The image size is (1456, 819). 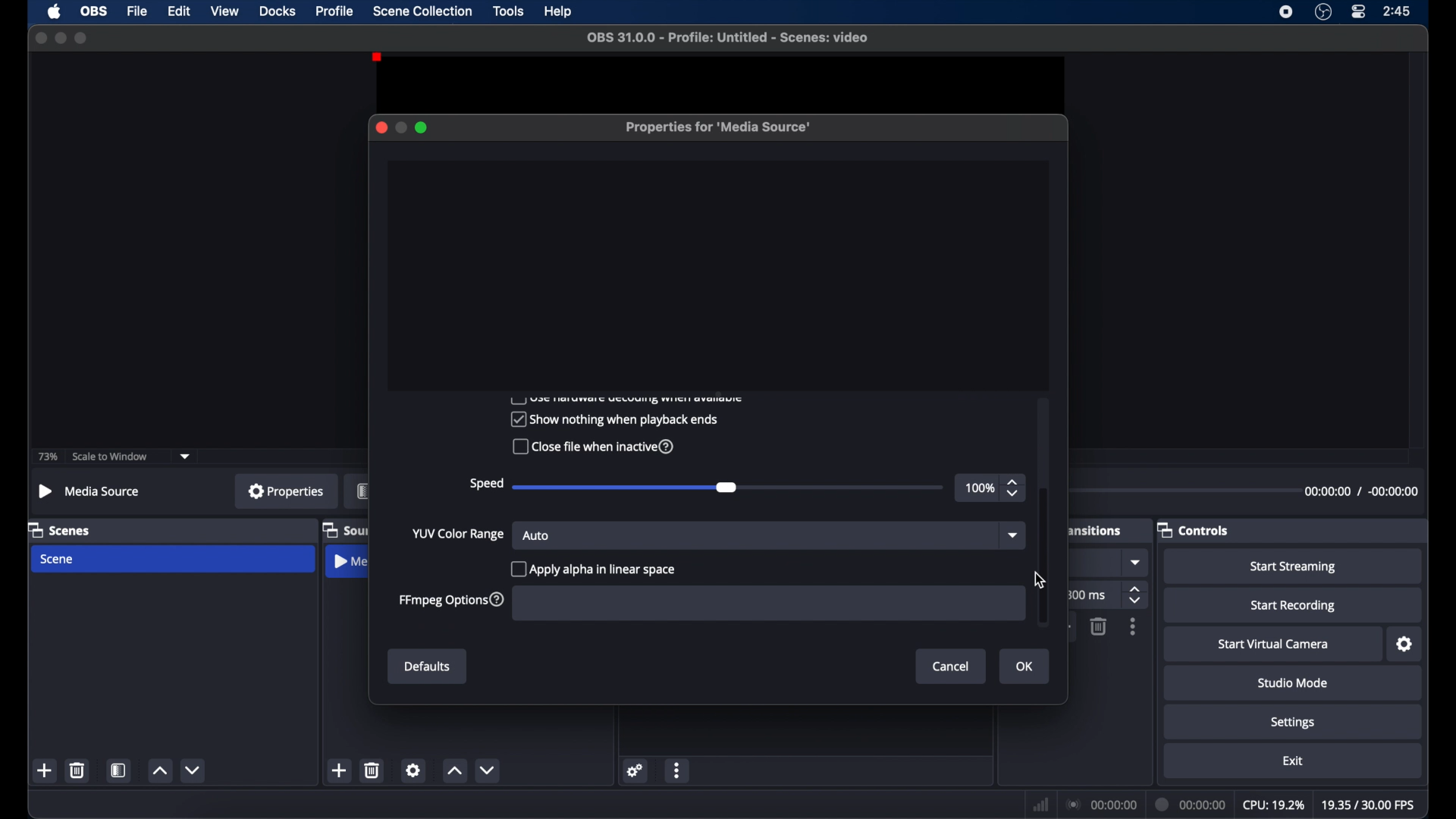 I want to click on minimize, so click(x=400, y=127).